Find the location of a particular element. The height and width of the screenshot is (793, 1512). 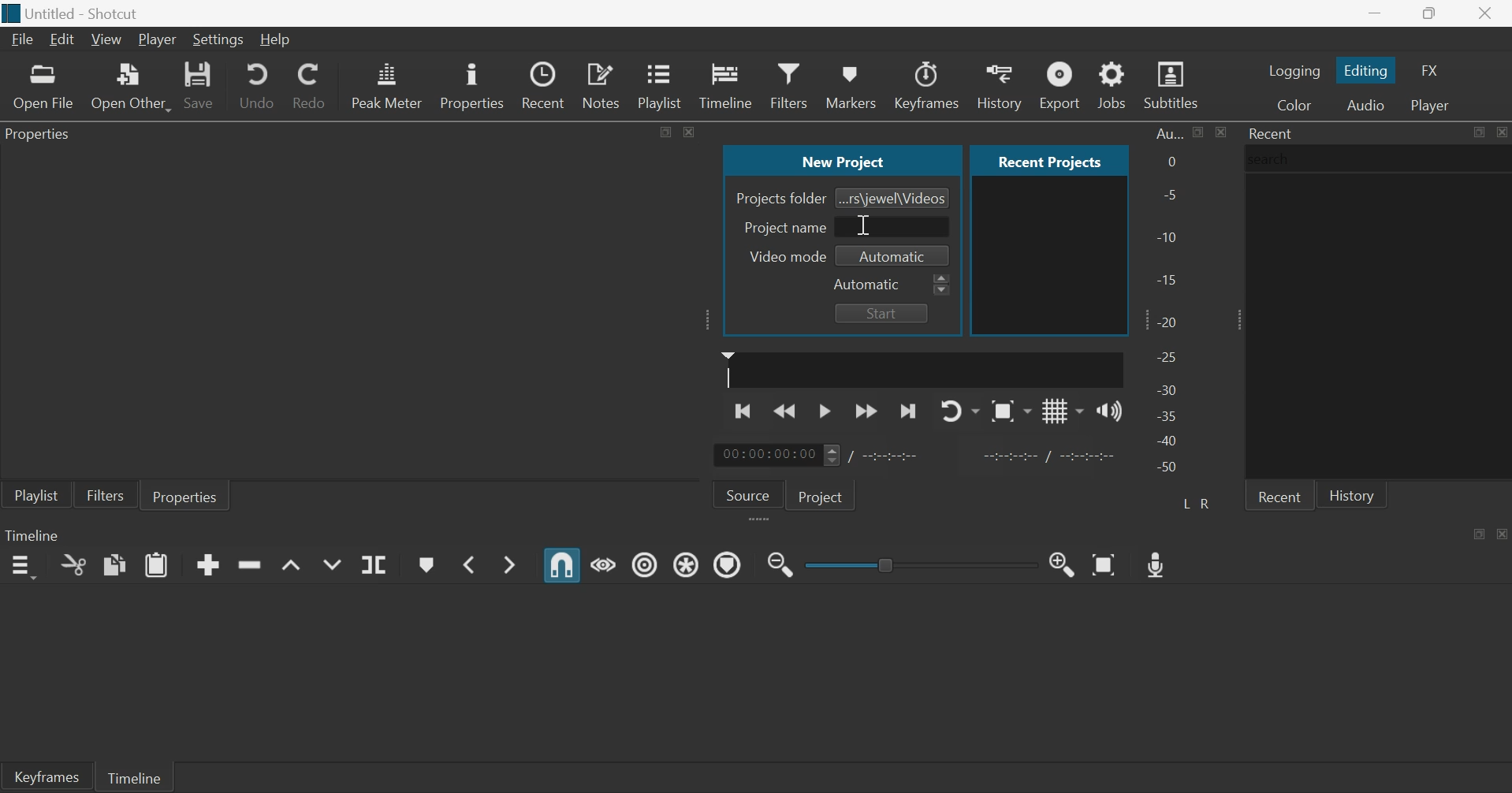

Edit is located at coordinates (61, 39).